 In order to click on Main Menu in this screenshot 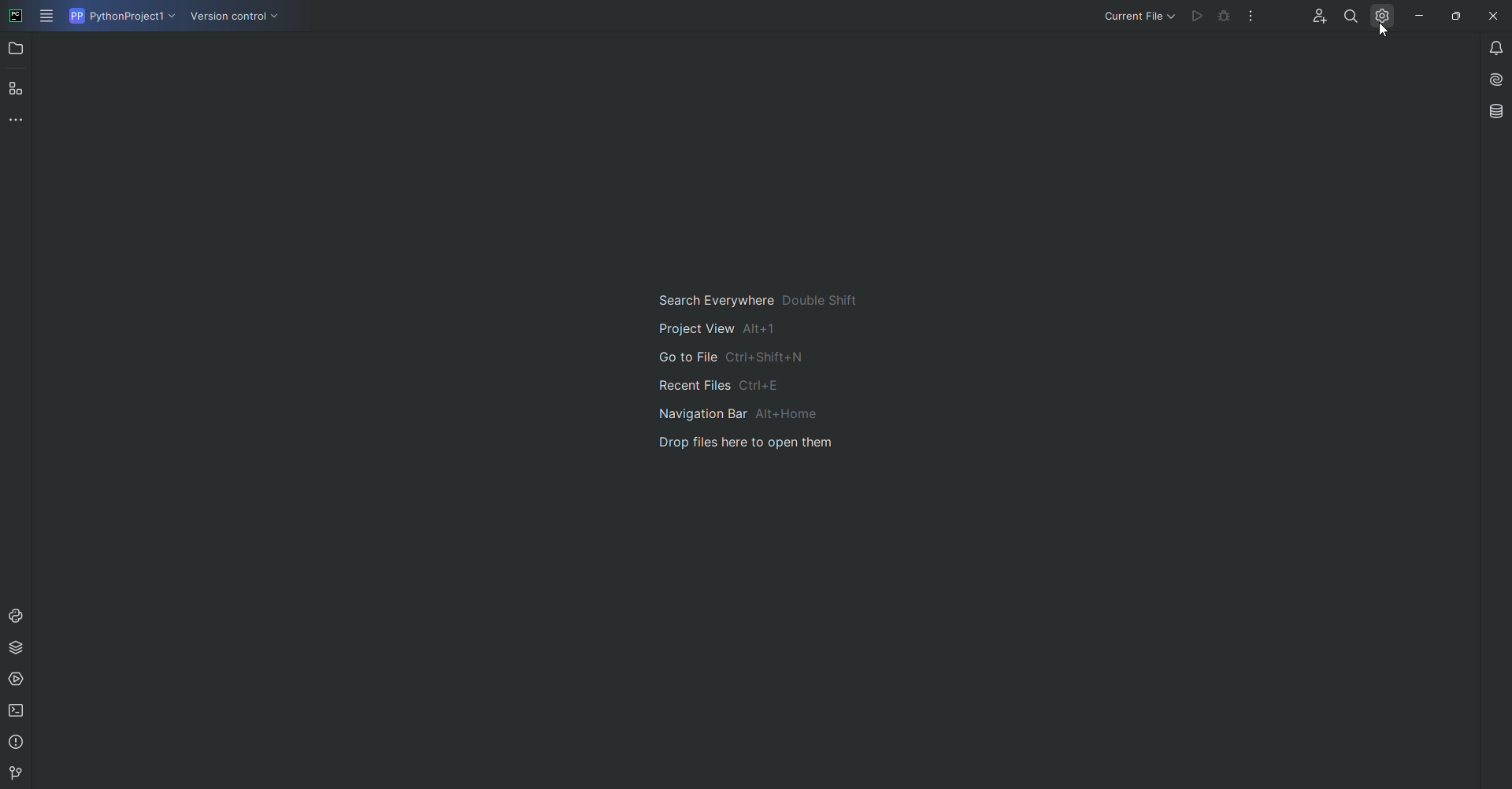, I will do `click(48, 17)`.